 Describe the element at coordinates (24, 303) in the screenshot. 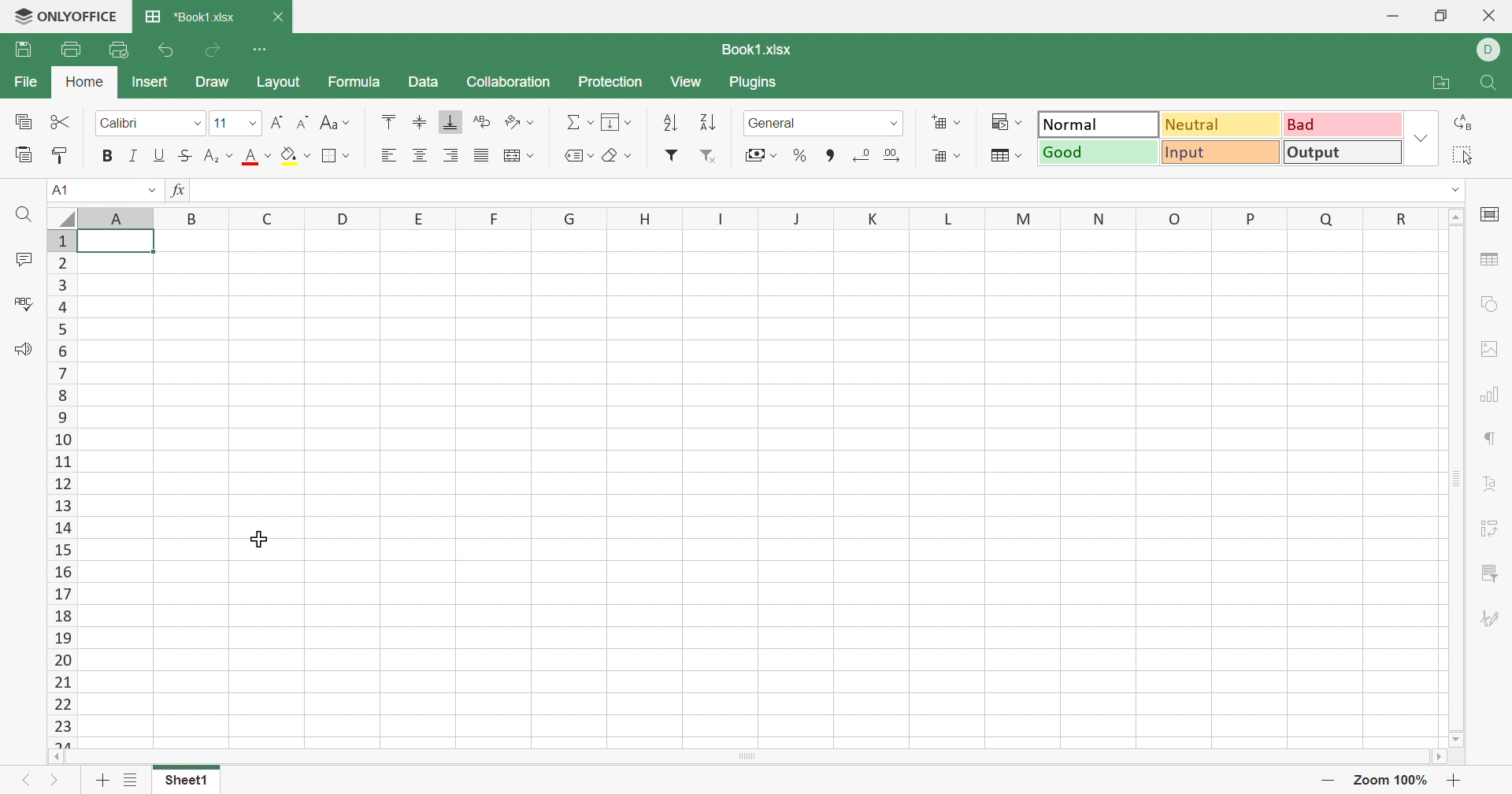

I see `Check Spelling` at that location.